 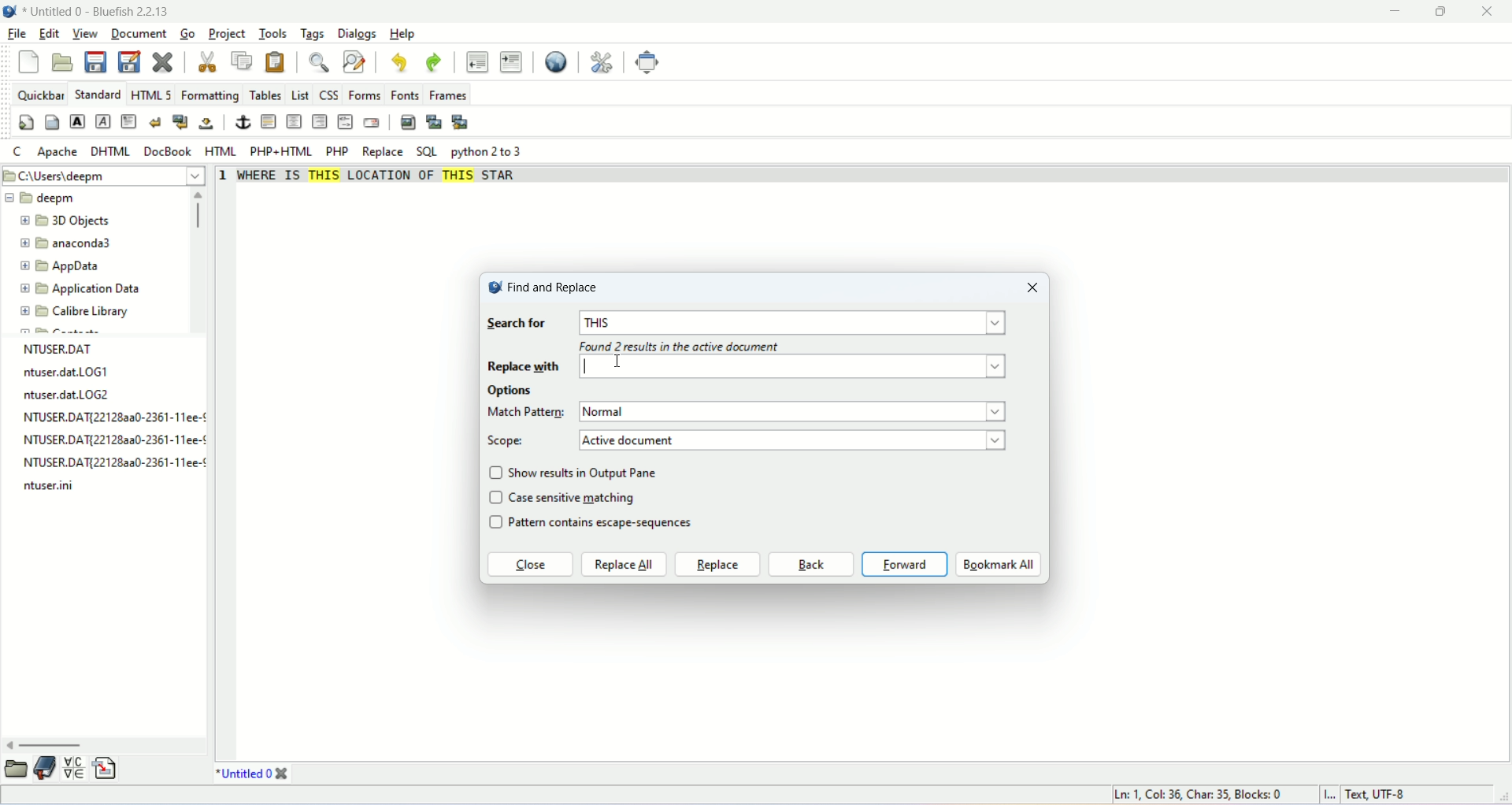 What do you see at coordinates (510, 61) in the screenshot?
I see `indent` at bounding box center [510, 61].